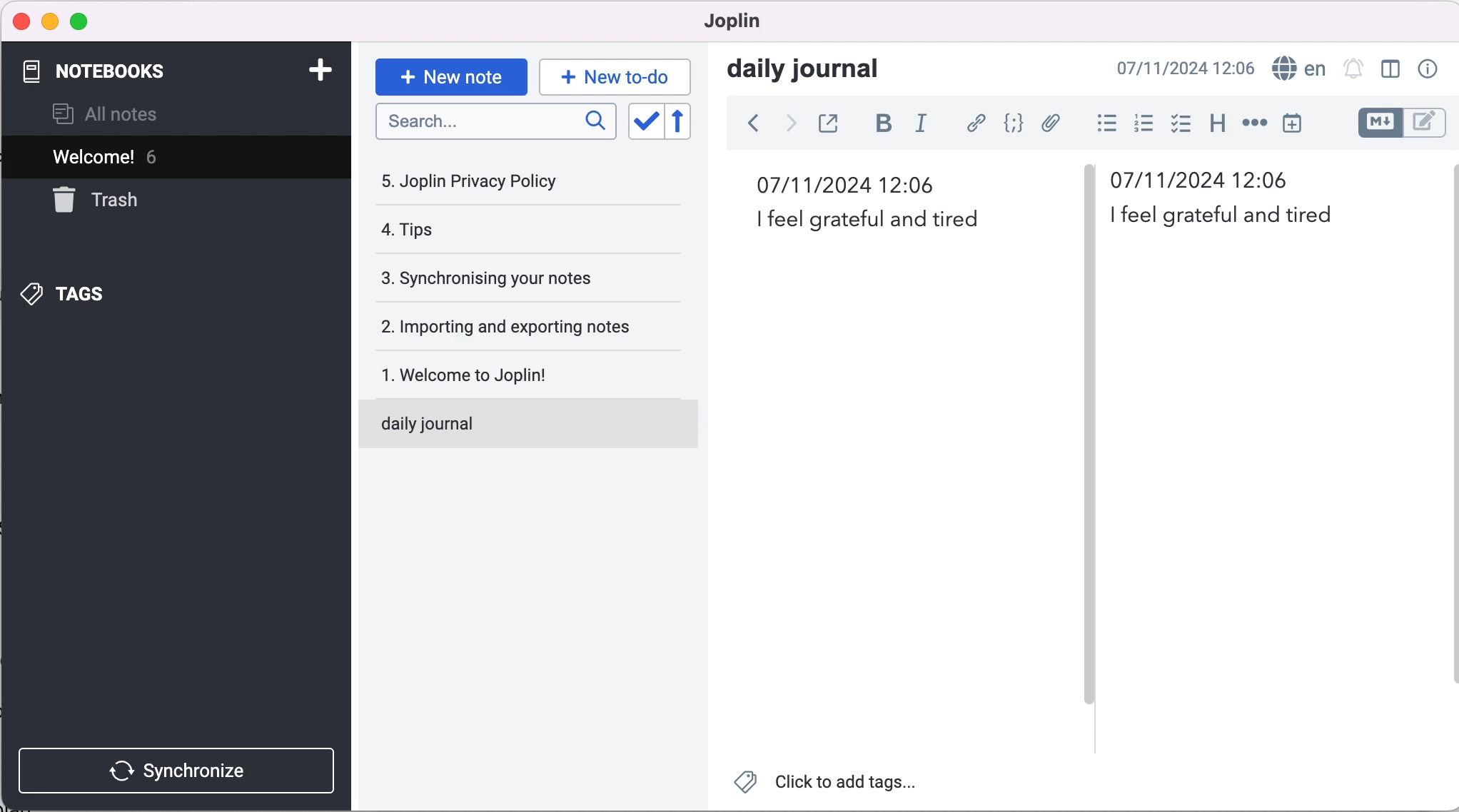 This screenshot has width=1459, height=812. What do you see at coordinates (612, 76) in the screenshot?
I see `new to-do` at bounding box center [612, 76].